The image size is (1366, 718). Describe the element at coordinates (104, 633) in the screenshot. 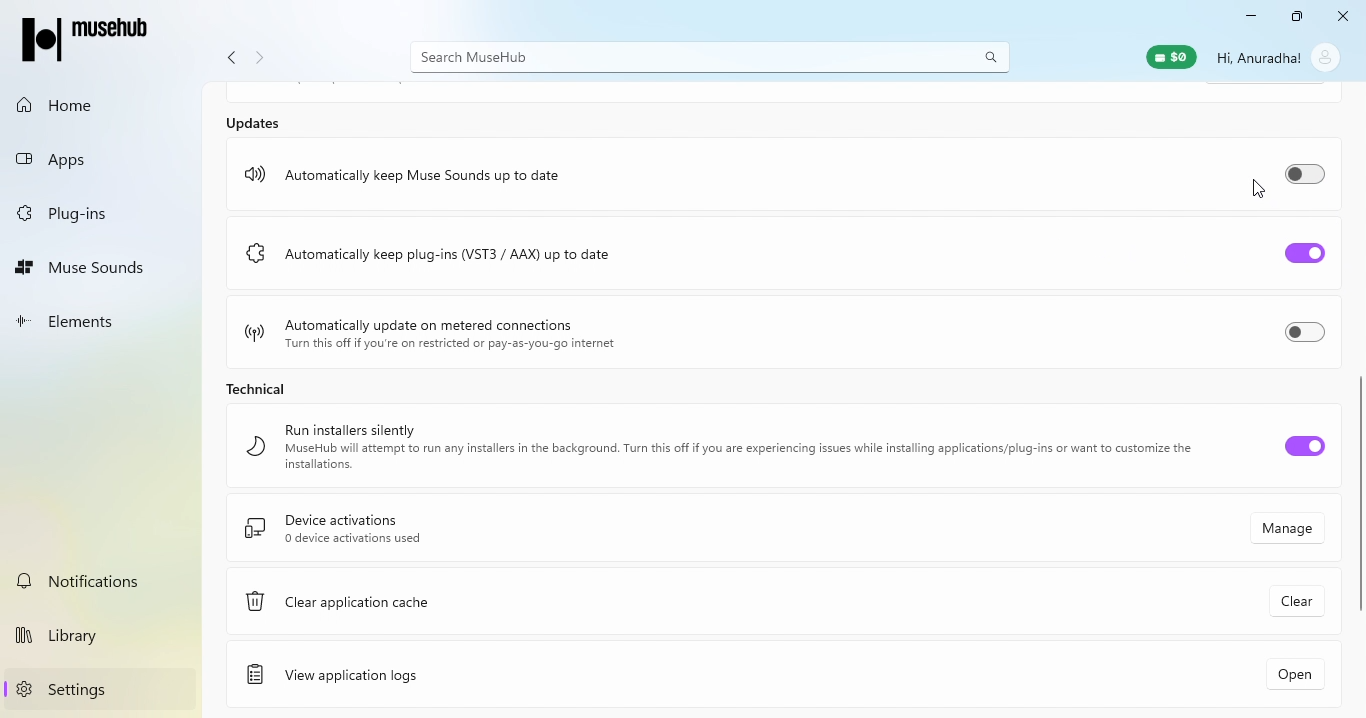

I see `Library` at that location.